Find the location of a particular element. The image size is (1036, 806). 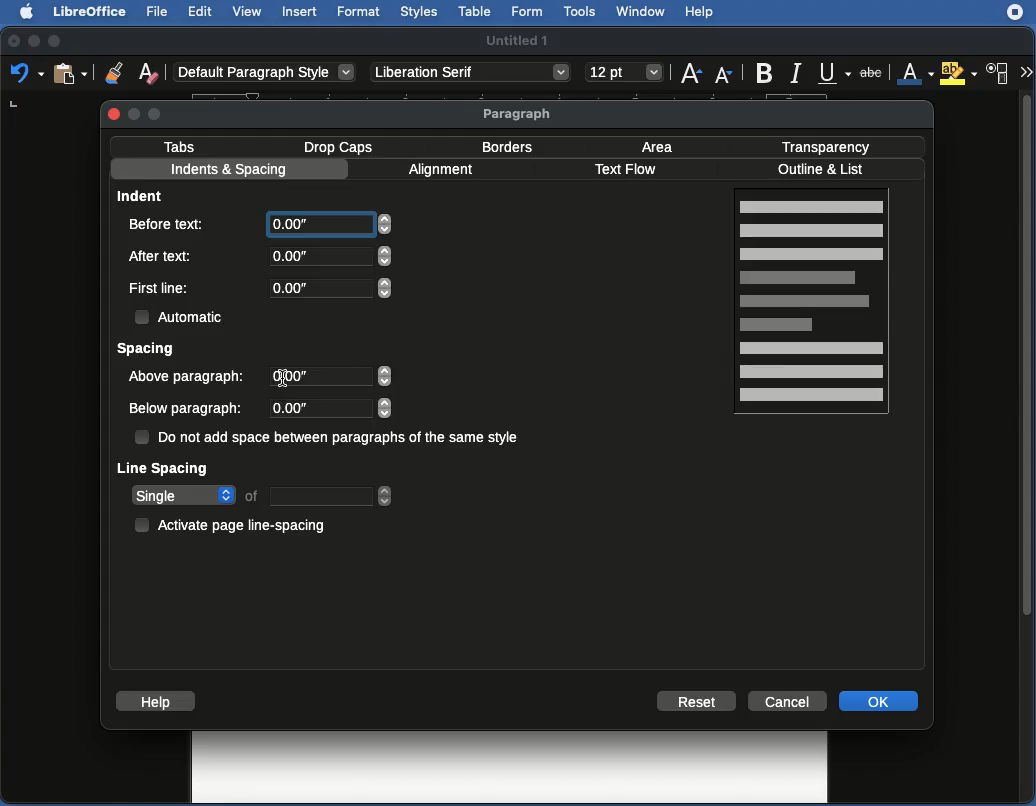

Bold is located at coordinates (763, 71).